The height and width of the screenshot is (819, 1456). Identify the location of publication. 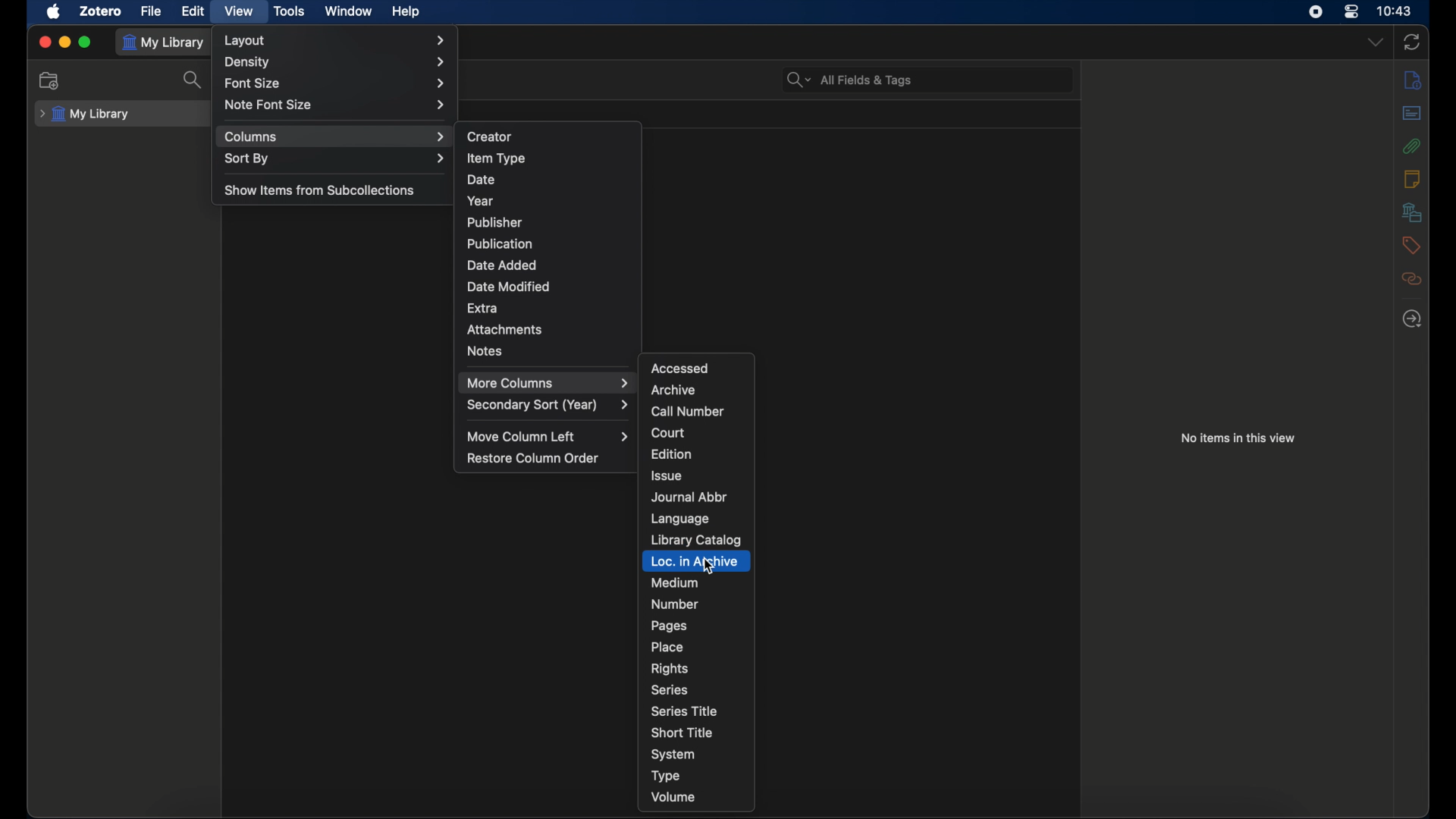
(500, 243).